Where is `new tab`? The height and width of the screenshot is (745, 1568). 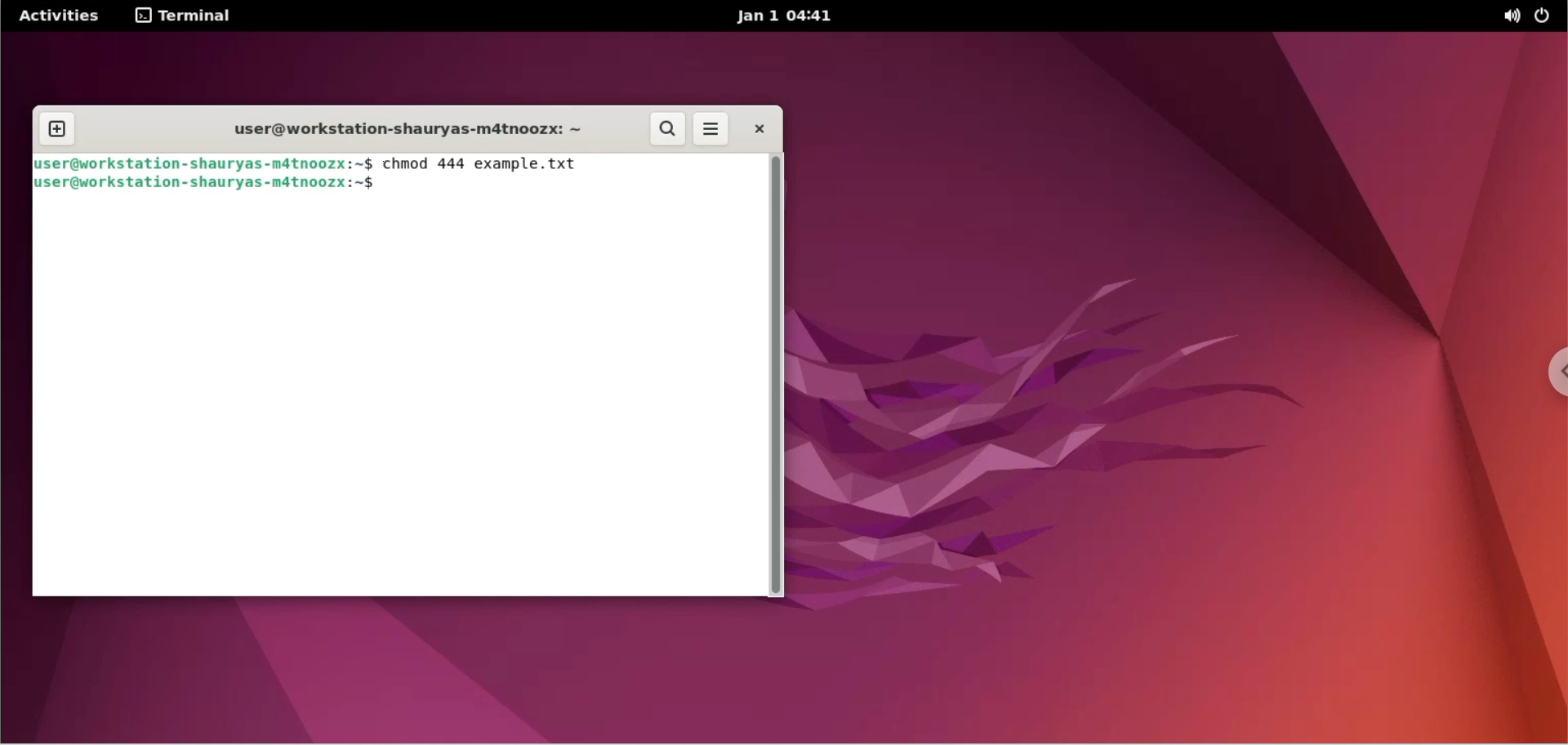
new tab is located at coordinates (58, 127).